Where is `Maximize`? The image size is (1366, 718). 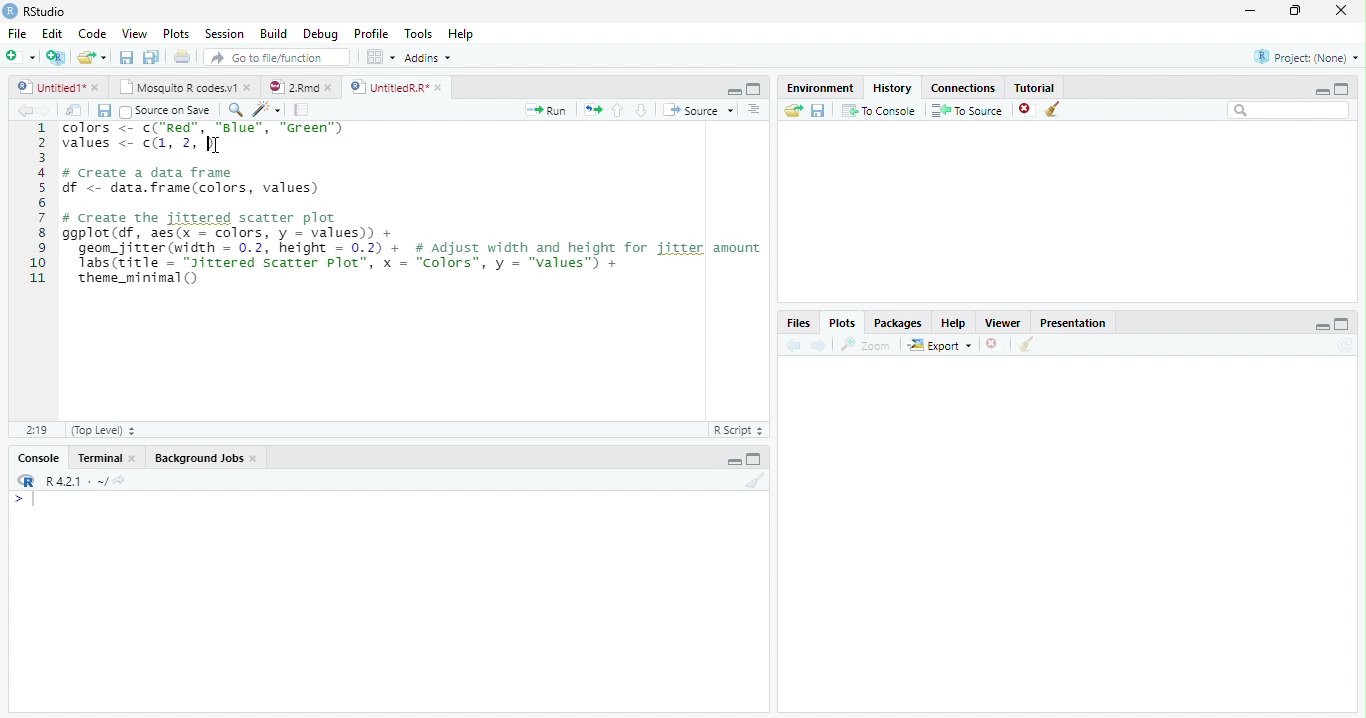
Maximize is located at coordinates (1342, 324).